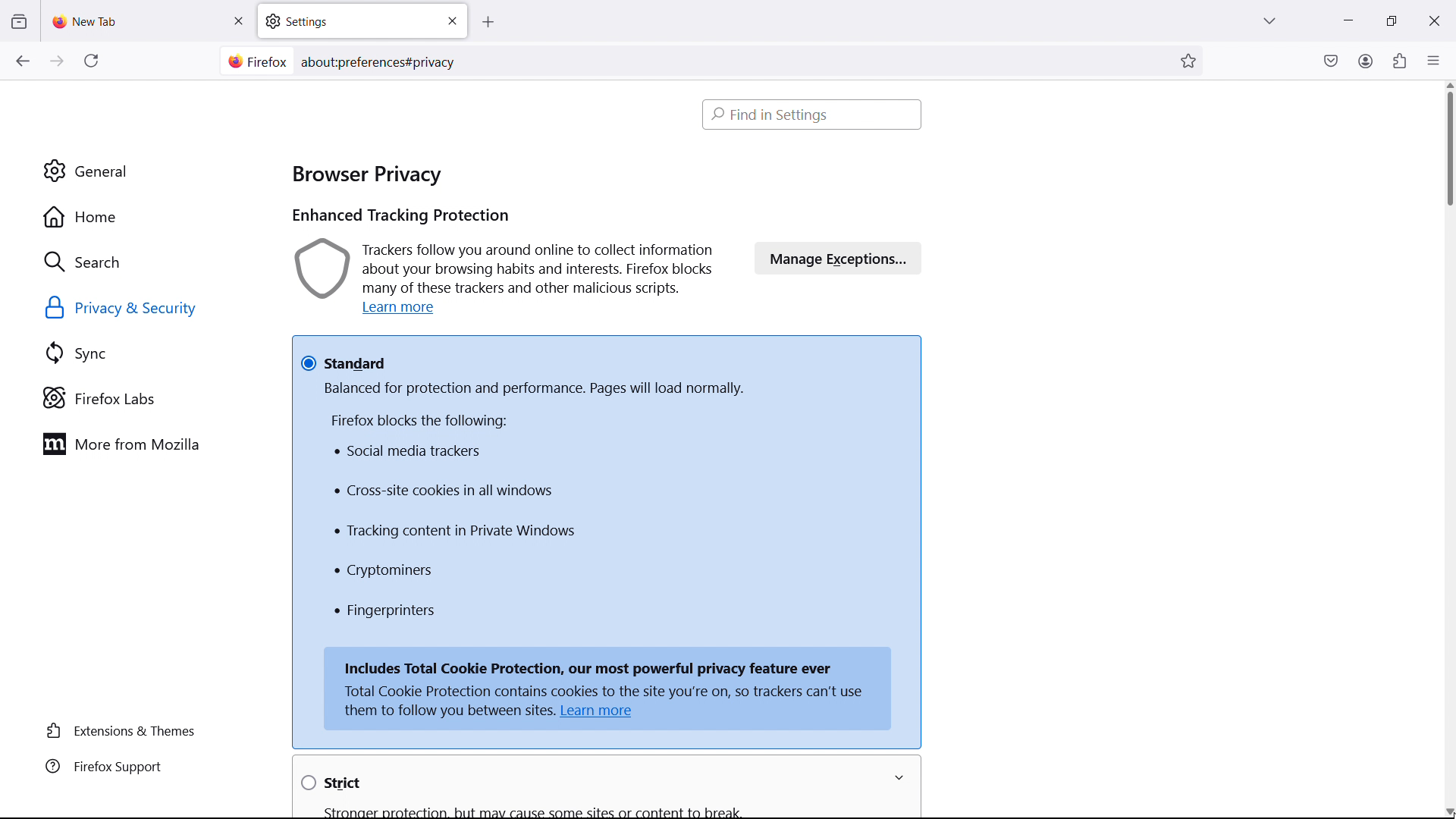 The height and width of the screenshot is (819, 1456). I want to click on extensions, so click(1398, 61).